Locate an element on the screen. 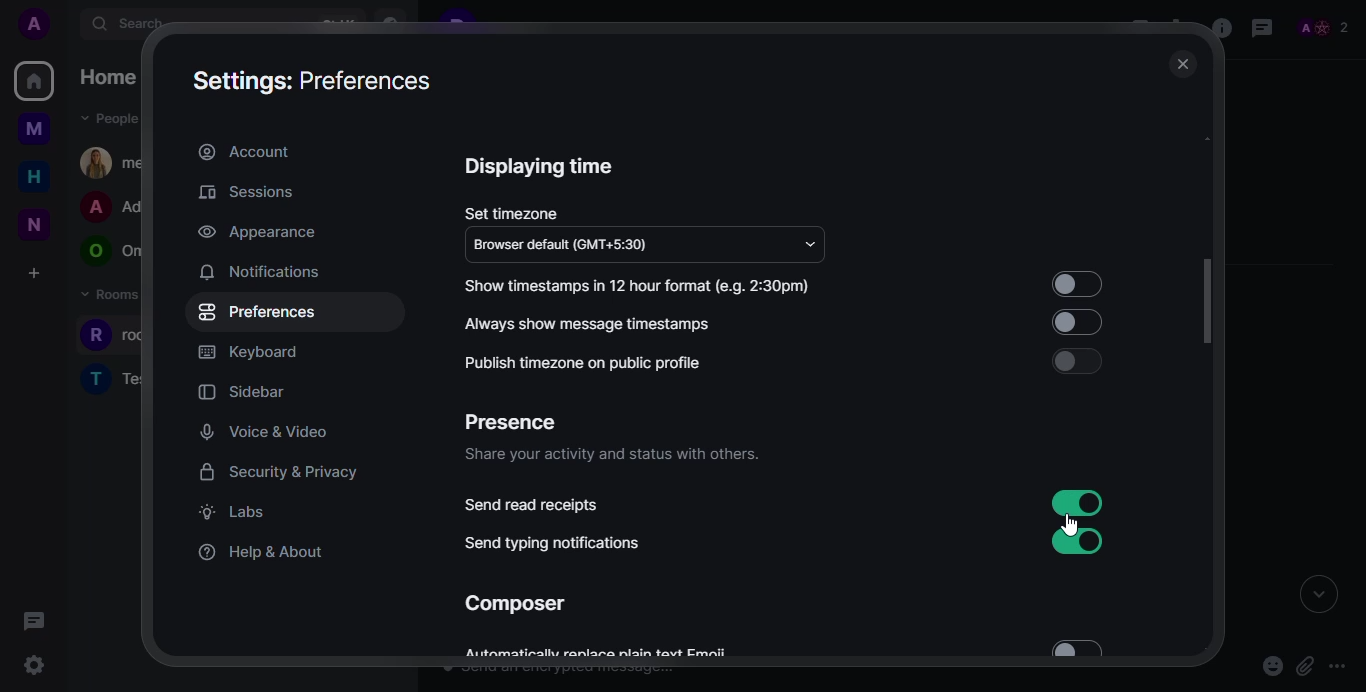  displaying time is located at coordinates (540, 166).